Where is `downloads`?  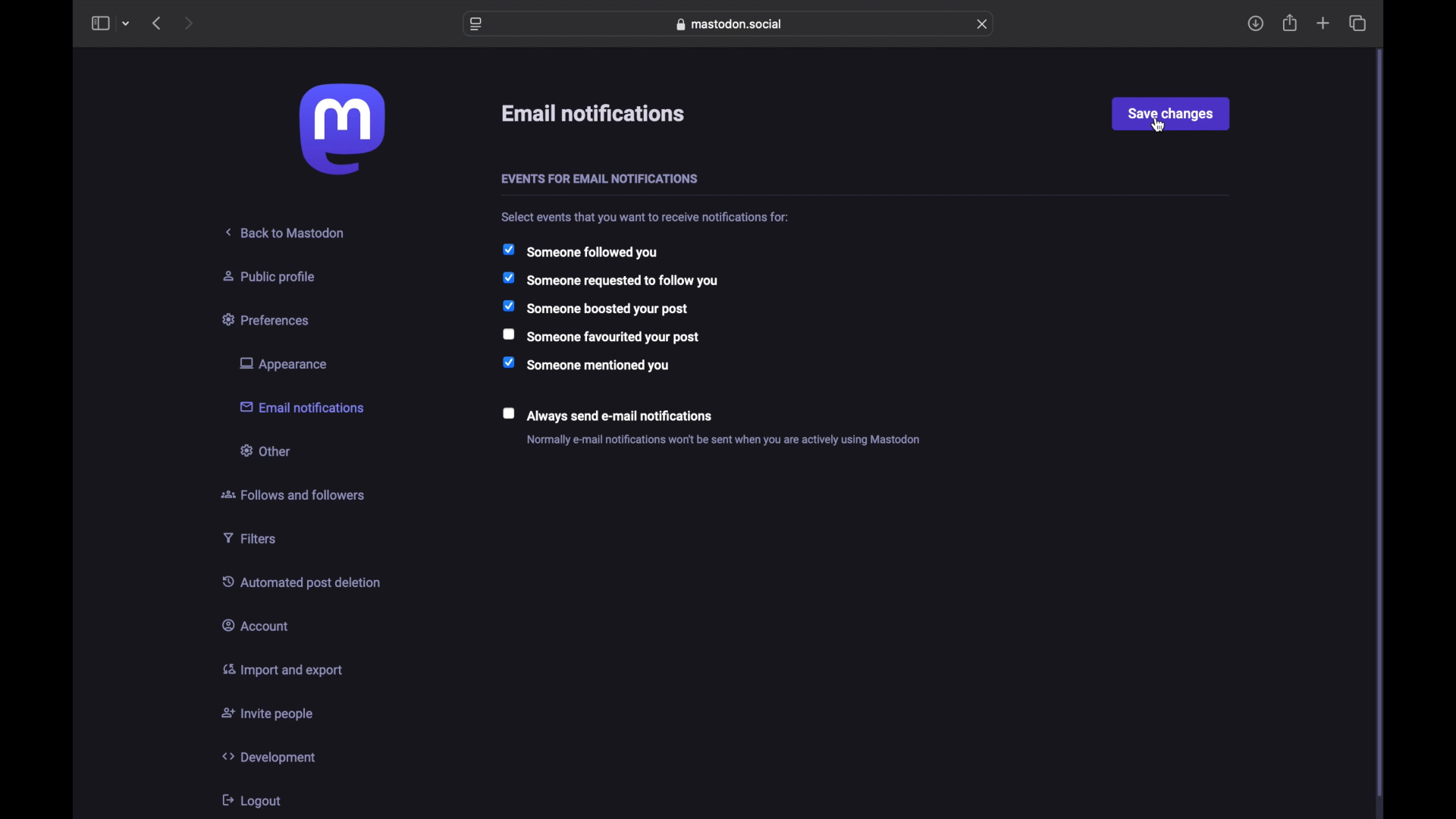 downloads is located at coordinates (1255, 24).